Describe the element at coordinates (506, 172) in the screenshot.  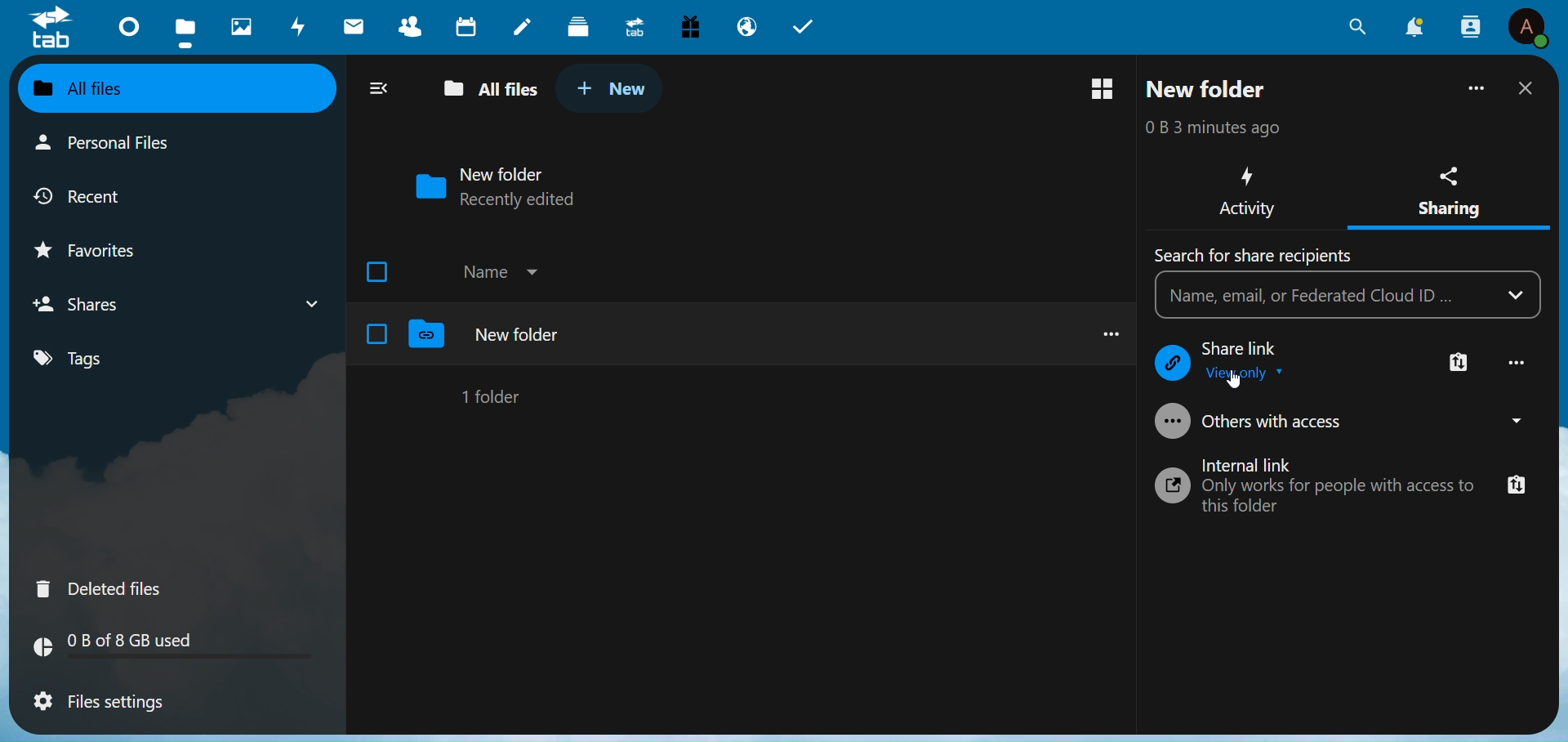
I see `New Folder` at that location.